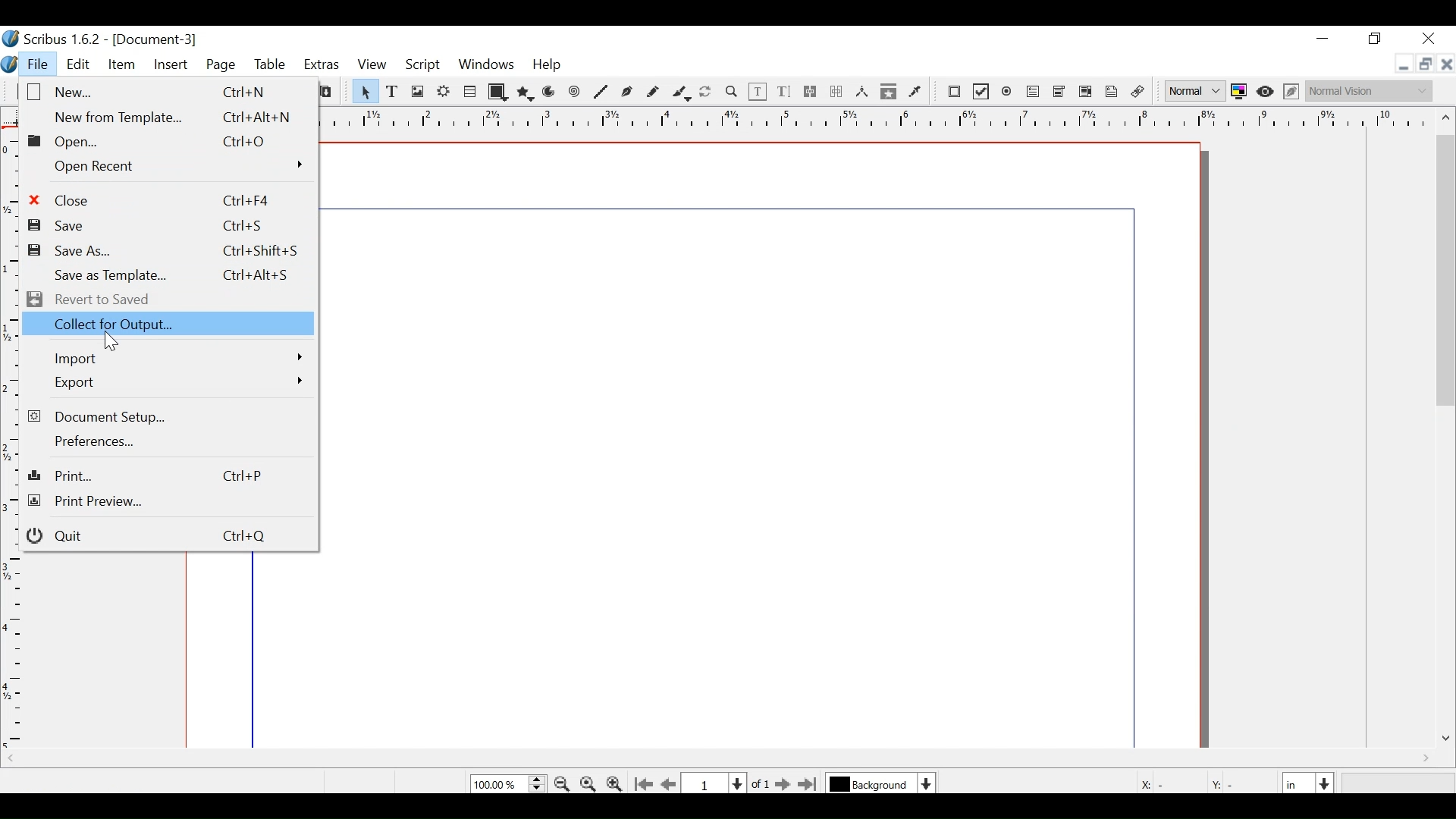 Image resolution: width=1456 pixels, height=819 pixels. What do you see at coordinates (627, 93) in the screenshot?
I see `Bezier Curve` at bounding box center [627, 93].